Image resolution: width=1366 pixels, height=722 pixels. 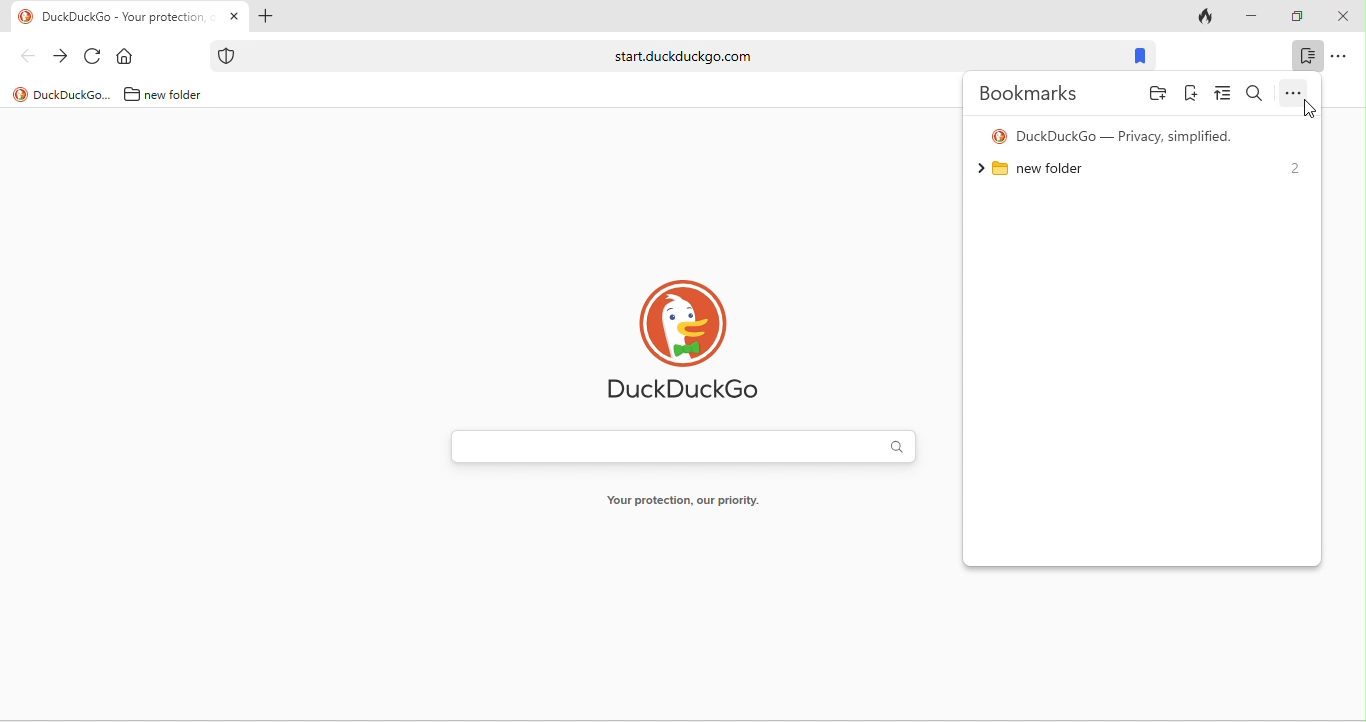 What do you see at coordinates (27, 56) in the screenshot?
I see `back` at bounding box center [27, 56].